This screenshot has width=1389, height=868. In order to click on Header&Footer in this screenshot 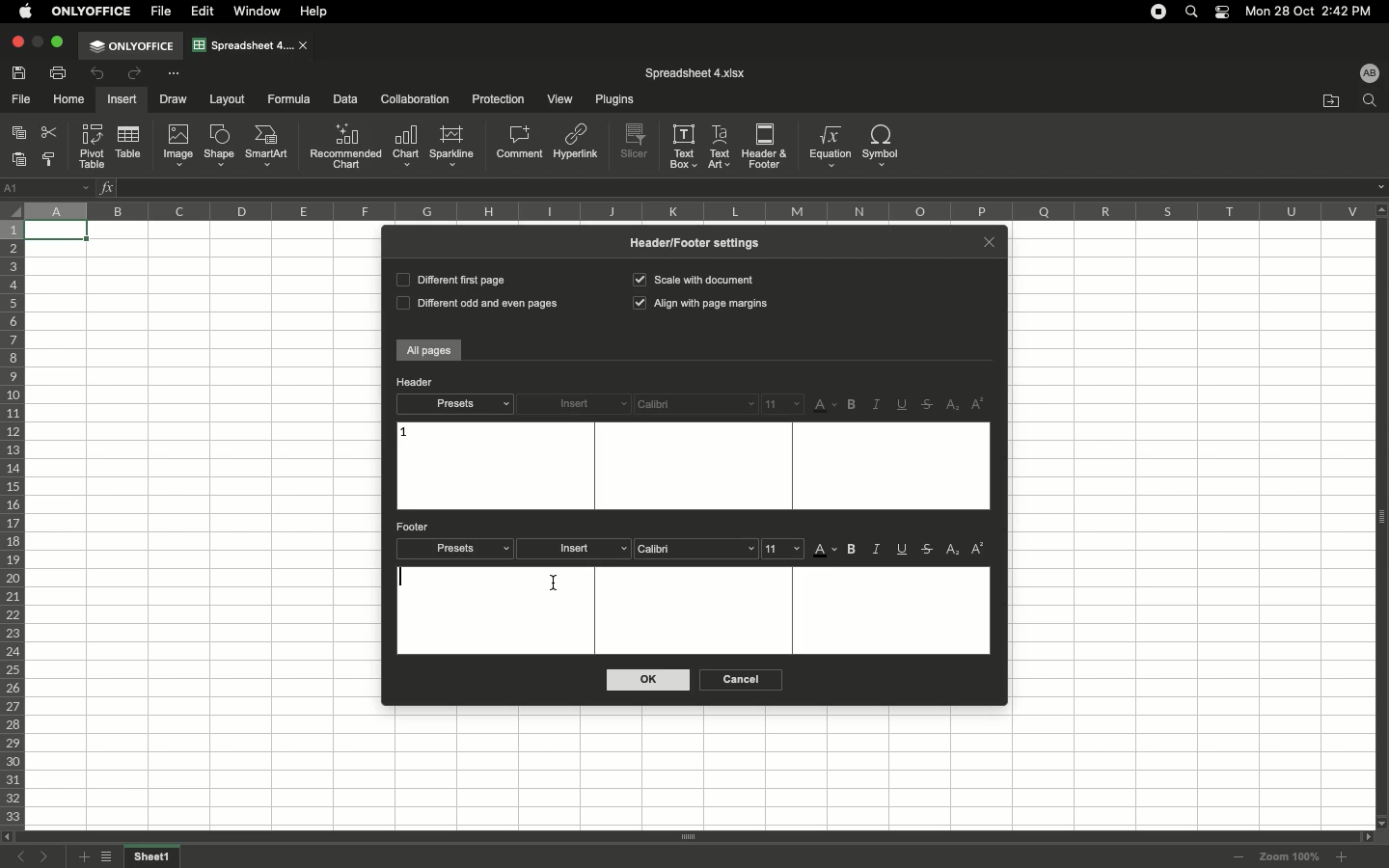, I will do `click(765, 145)`.